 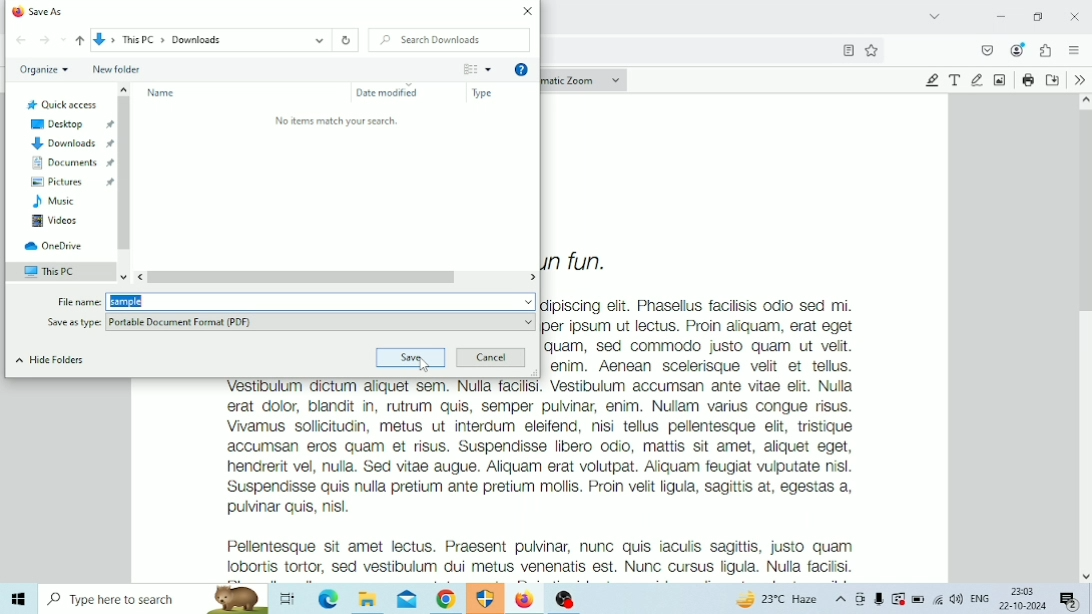 What do you see at coordinates (898, 599) in the screenshot?
I see `Warning` at bounding box center [898, 599].